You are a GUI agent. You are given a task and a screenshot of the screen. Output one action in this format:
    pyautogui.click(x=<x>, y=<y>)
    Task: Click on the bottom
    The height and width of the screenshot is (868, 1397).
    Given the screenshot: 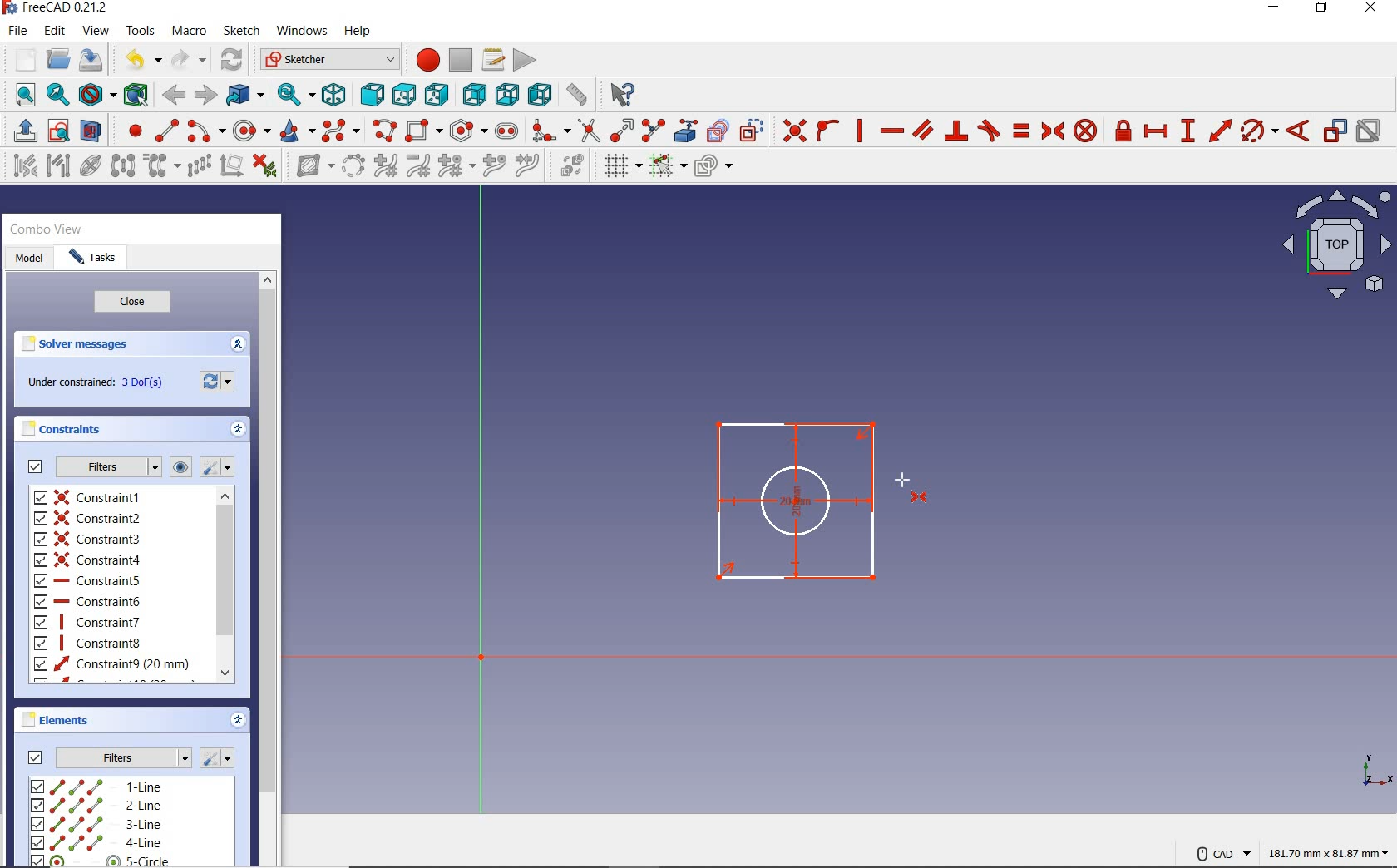 What is the action you would take?
    pyautogui.click(x=508, y=96)
    